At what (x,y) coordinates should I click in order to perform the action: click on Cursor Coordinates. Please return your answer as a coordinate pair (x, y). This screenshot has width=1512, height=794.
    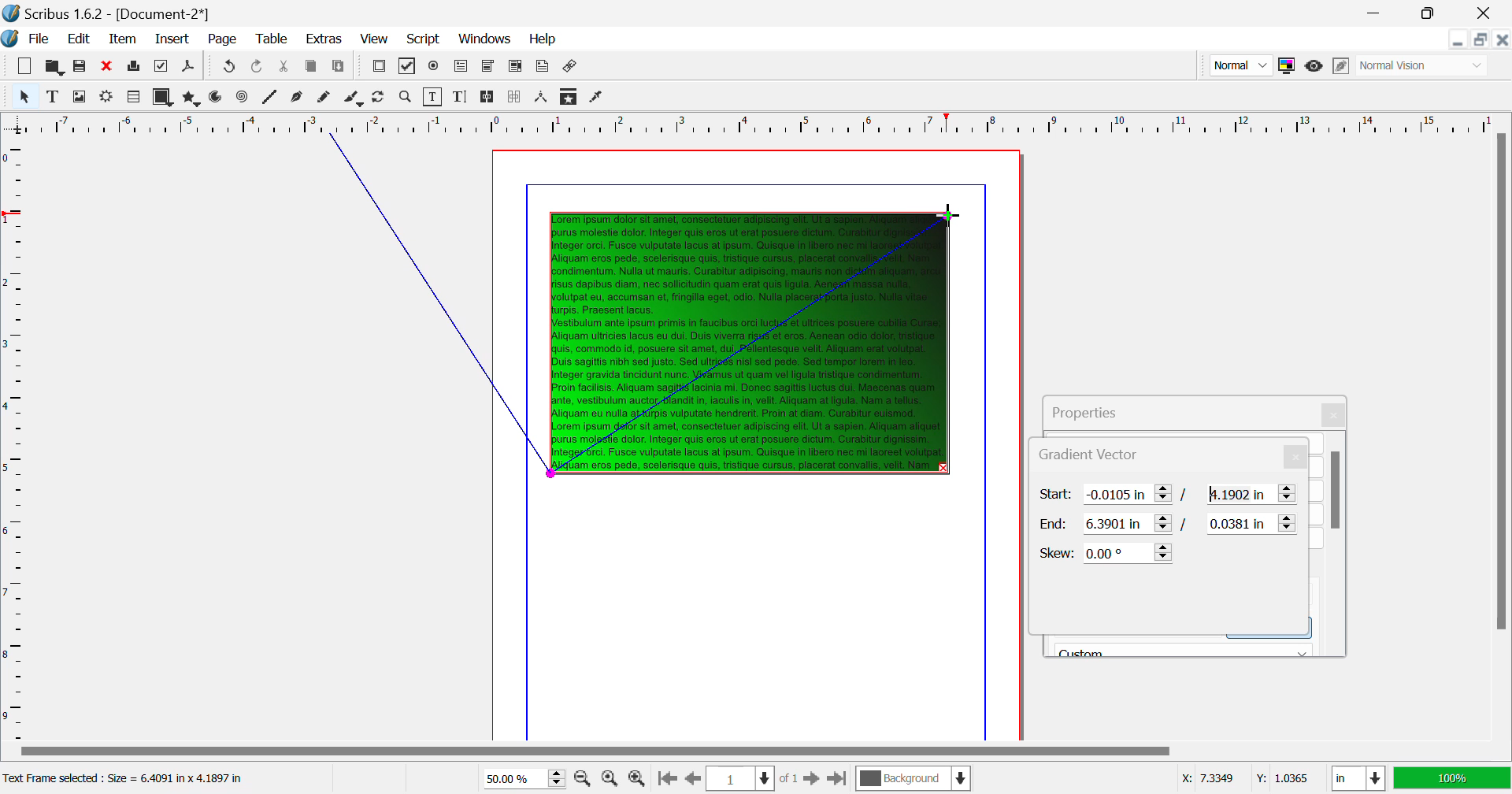
    Looking at the image, I should click on (1244, 779).